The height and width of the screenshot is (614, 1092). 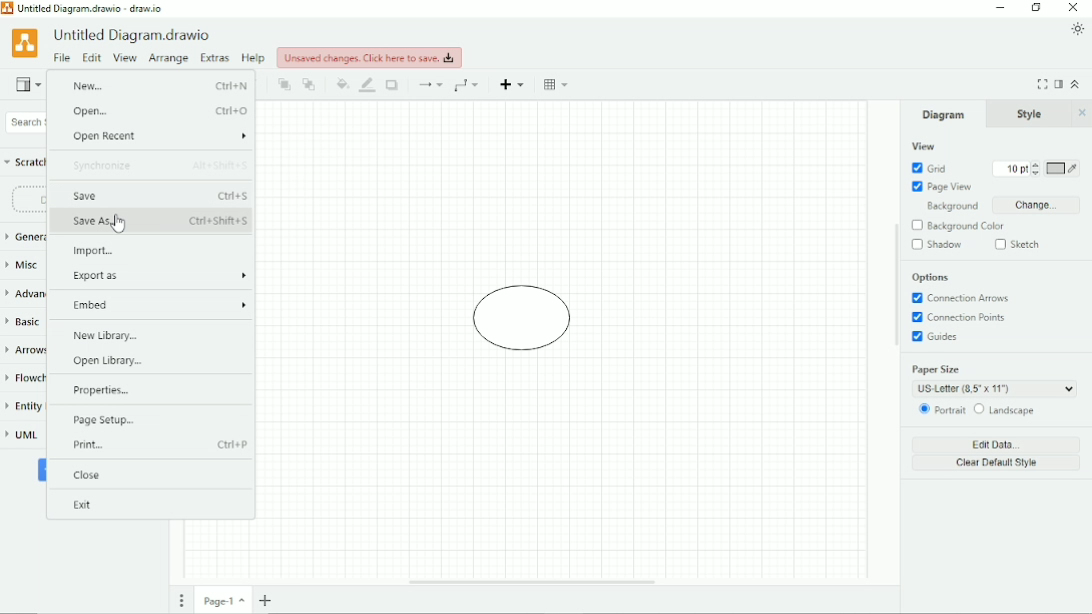 What do you see at coordinates (24, 351) in the screenshot?
I see `Arrows` at bounding box center [24, 351].